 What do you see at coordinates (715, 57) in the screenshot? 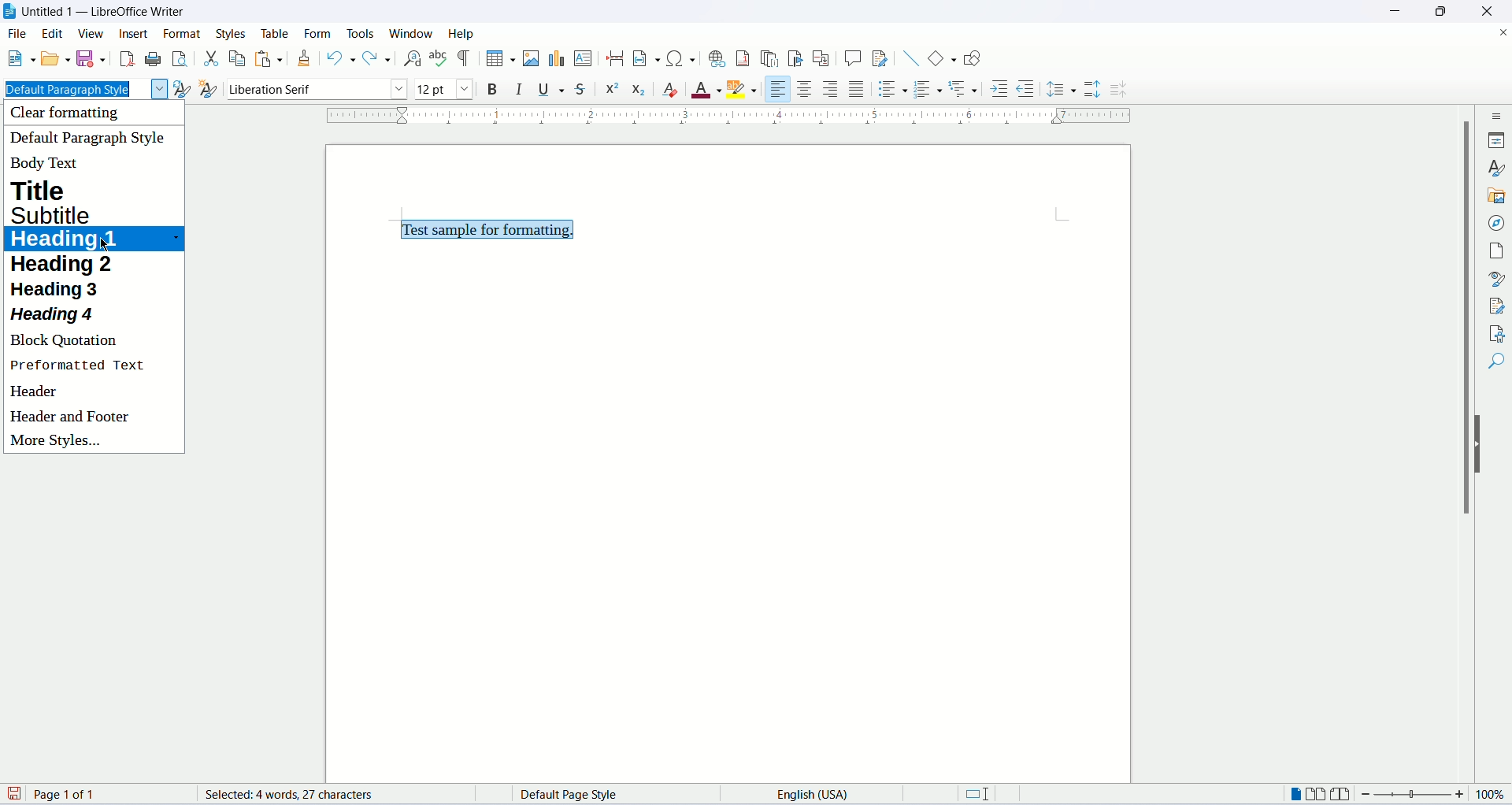
I see `insert hyperlink` at bounding box center [715, 57].